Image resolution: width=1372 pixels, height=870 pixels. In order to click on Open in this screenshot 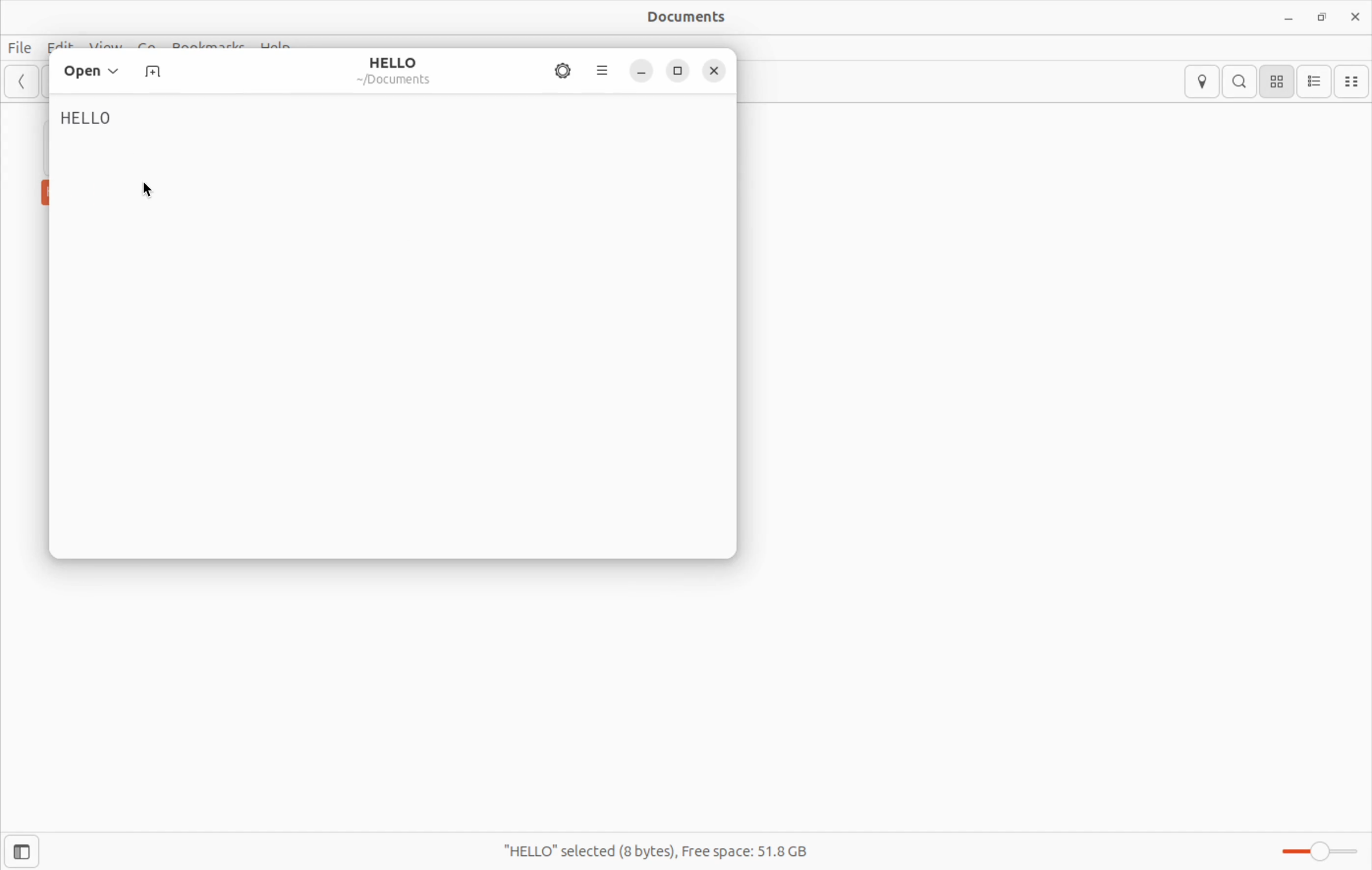, I will do `click(89, 71)`.